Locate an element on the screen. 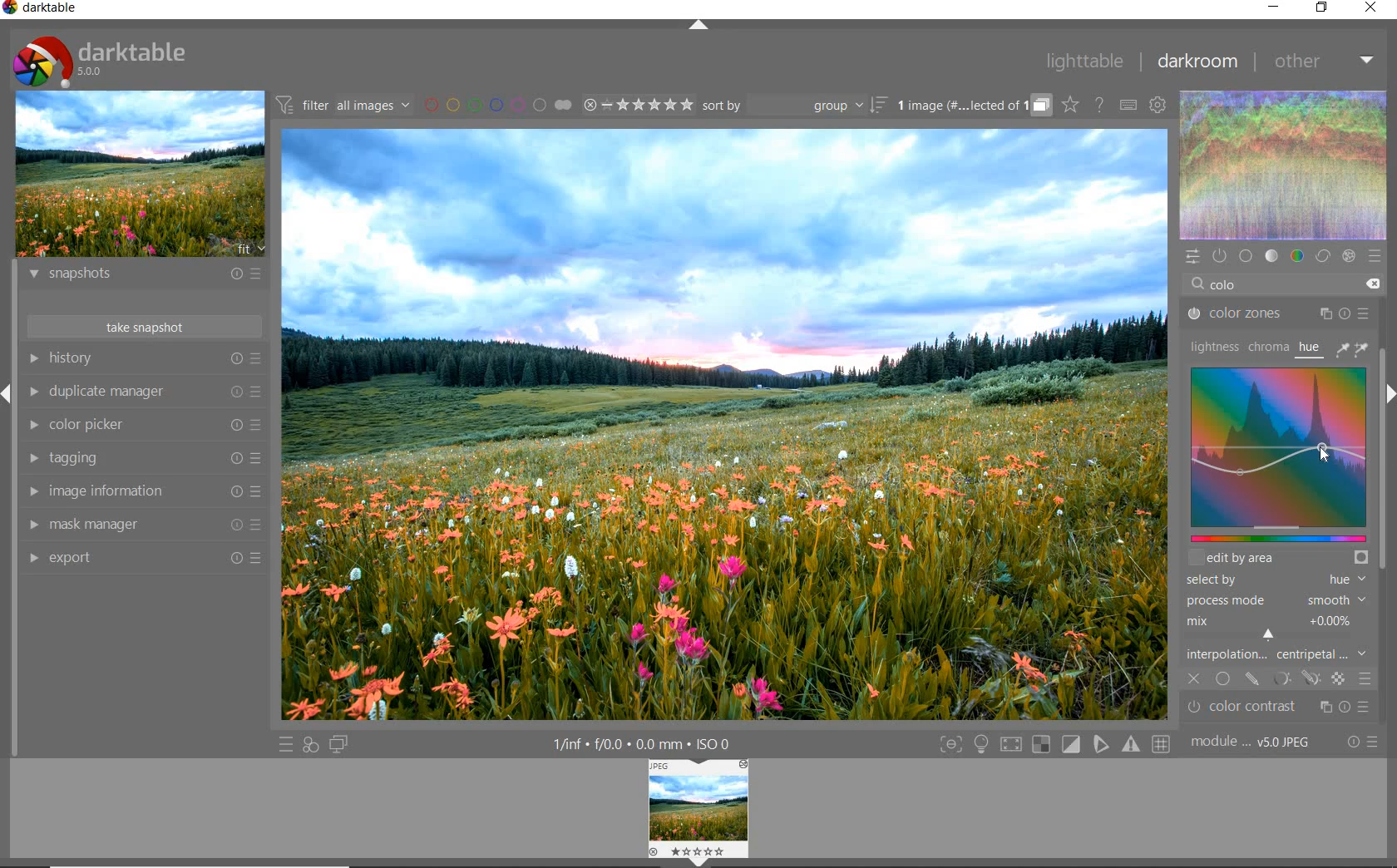  interpolation is located at coordinates (1277, 655).